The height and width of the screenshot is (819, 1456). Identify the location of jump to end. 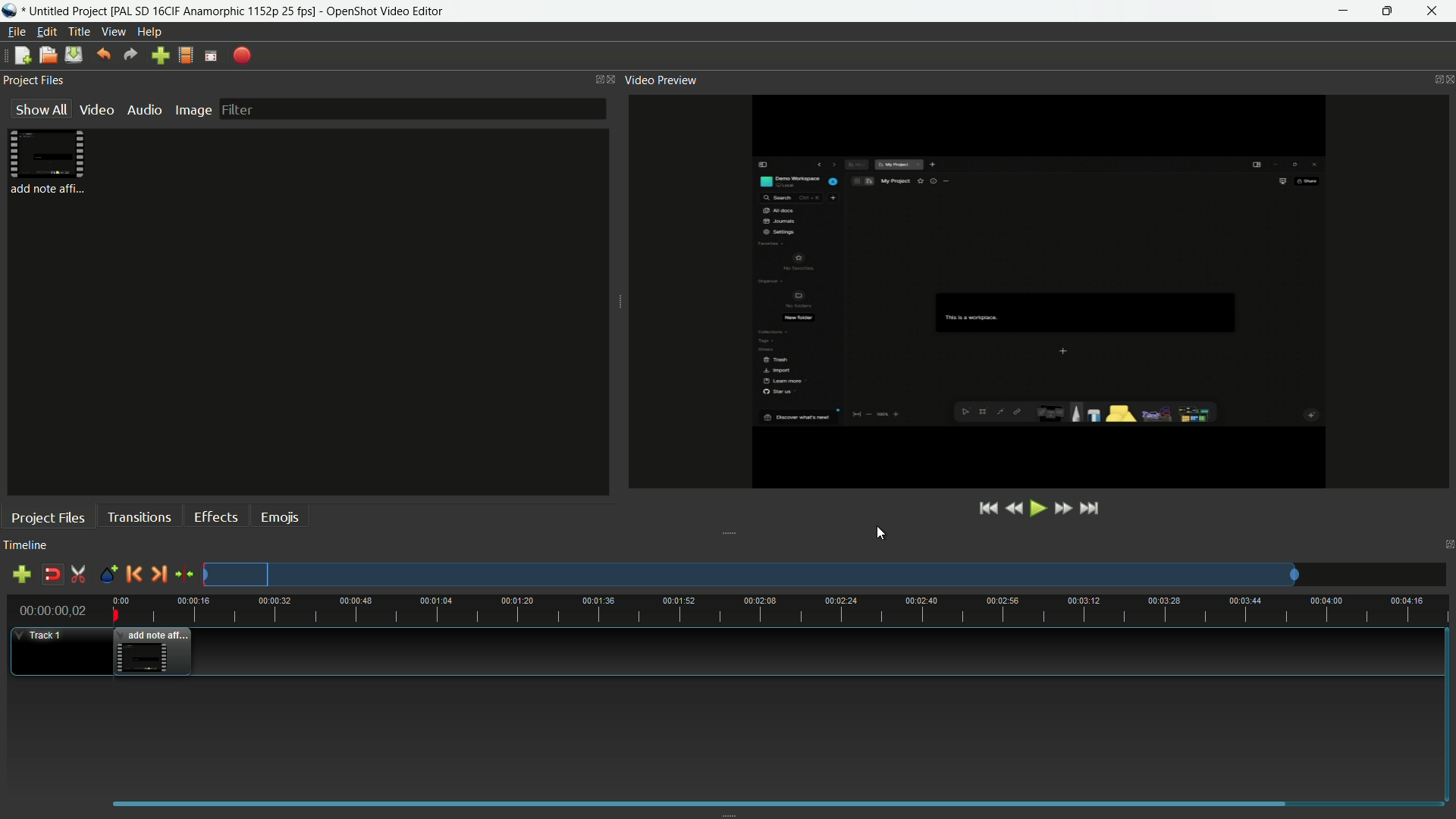
(1089, 508).